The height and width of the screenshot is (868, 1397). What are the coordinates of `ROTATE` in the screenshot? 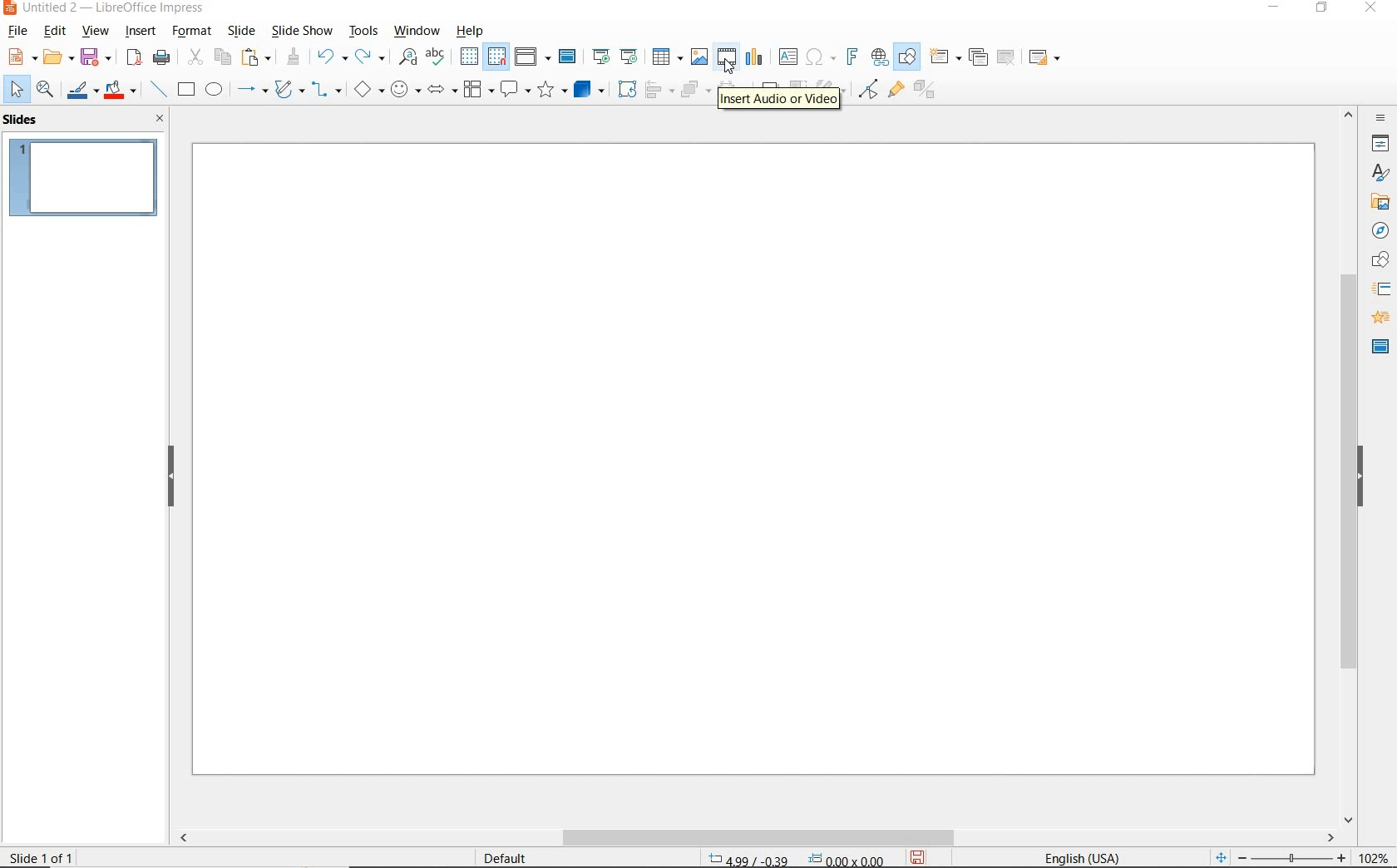 It's located at (624, 89).